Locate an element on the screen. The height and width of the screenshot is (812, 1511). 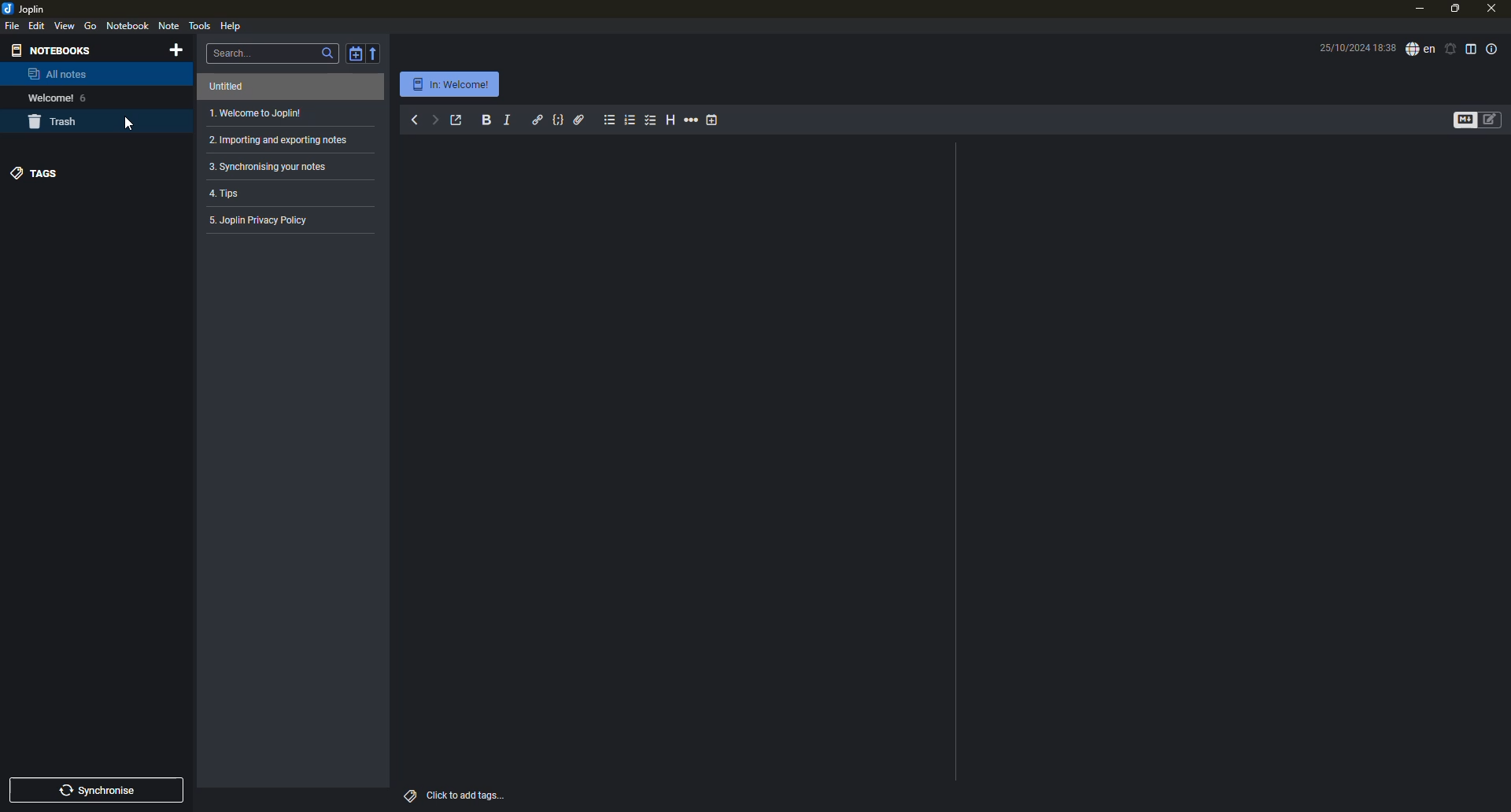
minimize is located at coordinates (1417, 9).